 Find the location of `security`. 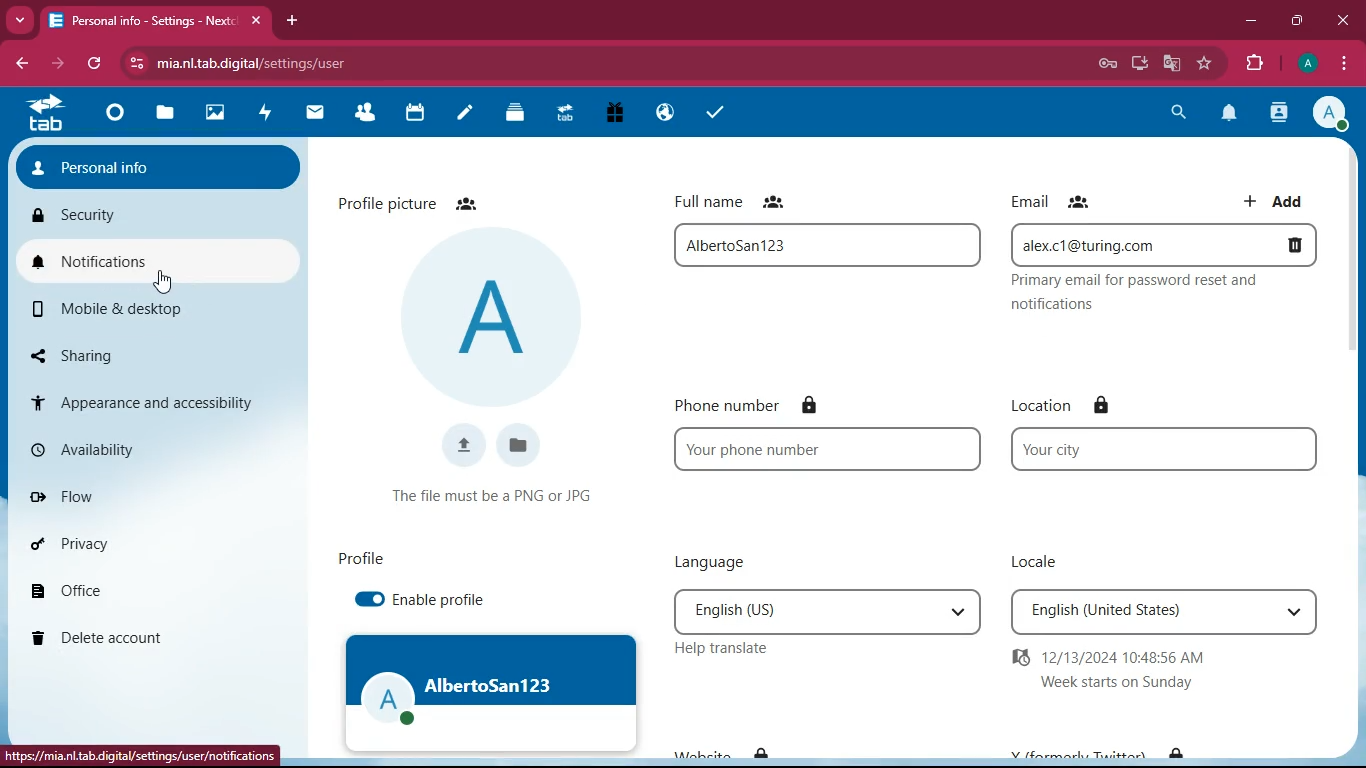

security is located at coordinates (158, 213).